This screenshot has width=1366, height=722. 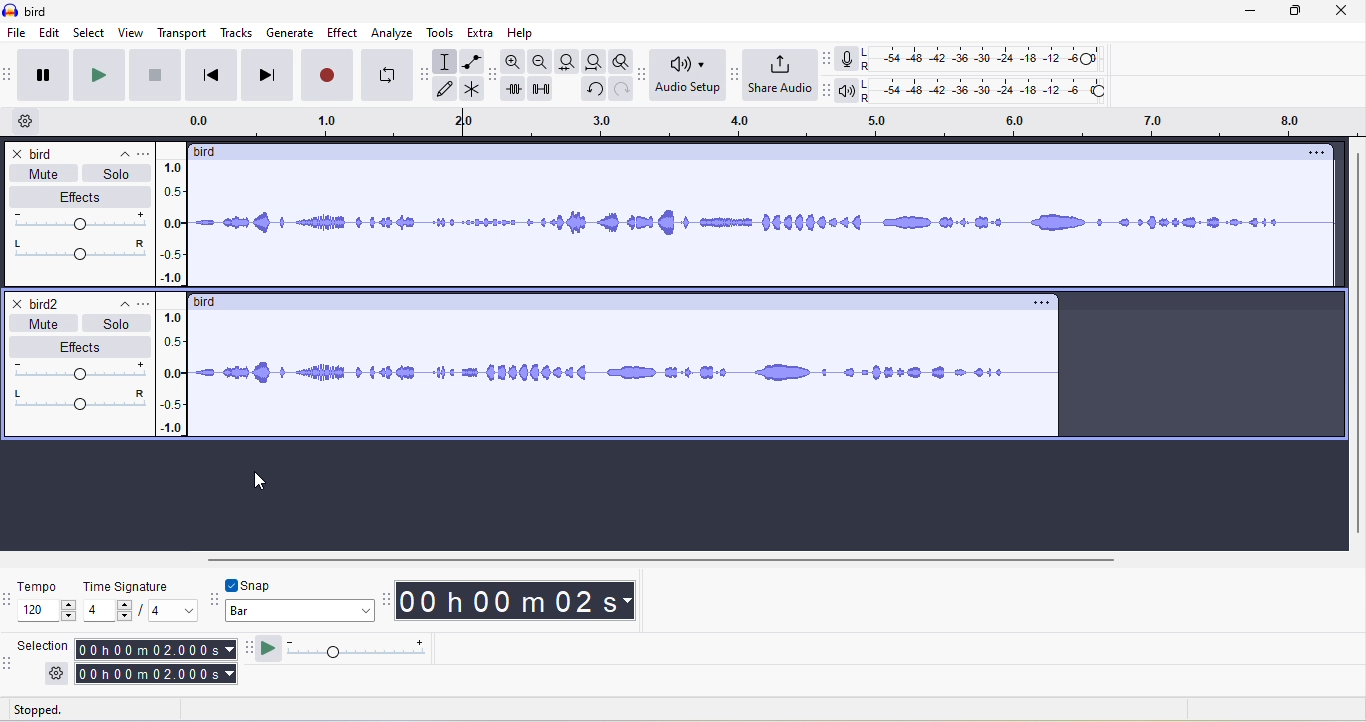 What do you see at coordinates (470, 91) in the screenshot?
I see `multi tool` at bounding box center [470, 91].